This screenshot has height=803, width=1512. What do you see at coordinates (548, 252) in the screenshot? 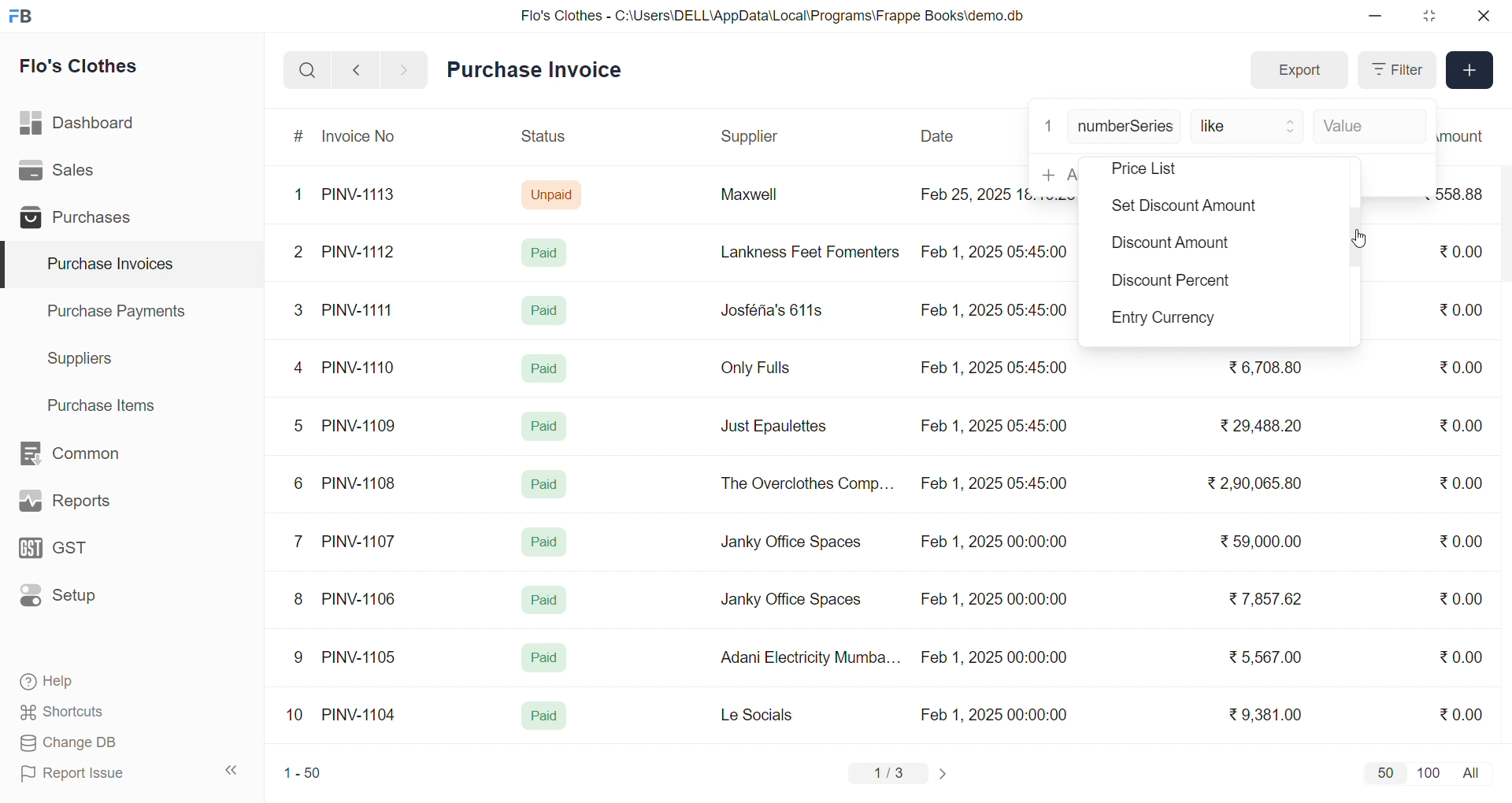
I see `Paid` at bounding box center [548, 252].